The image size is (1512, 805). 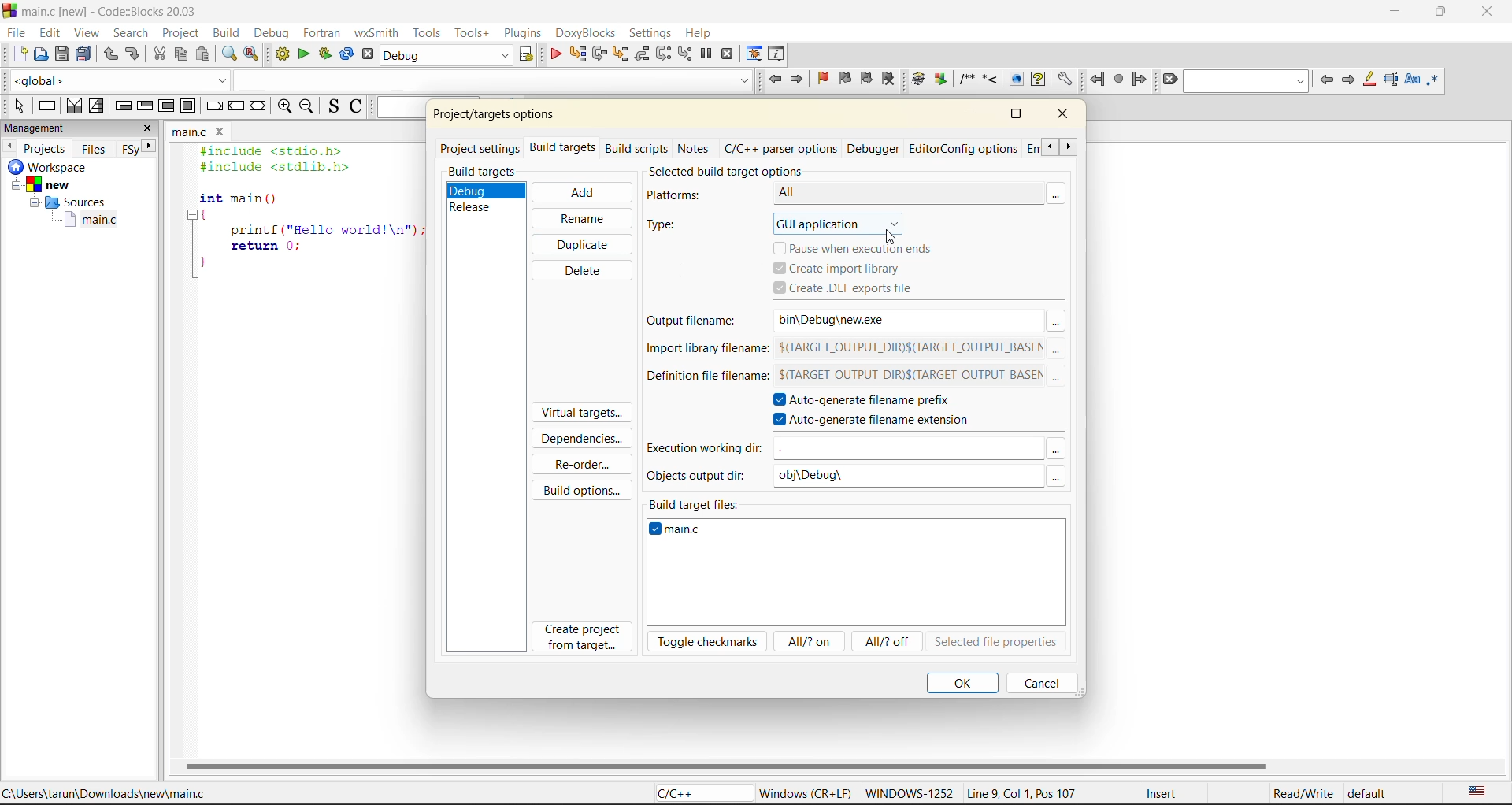 What do you see at coordinates (906, 377) in the screenshot?
I see `$(TARGET_OUTPUT_DIR)$(TARGET_OUTPUT_BASEN . |` at bounding box center [906, 377].